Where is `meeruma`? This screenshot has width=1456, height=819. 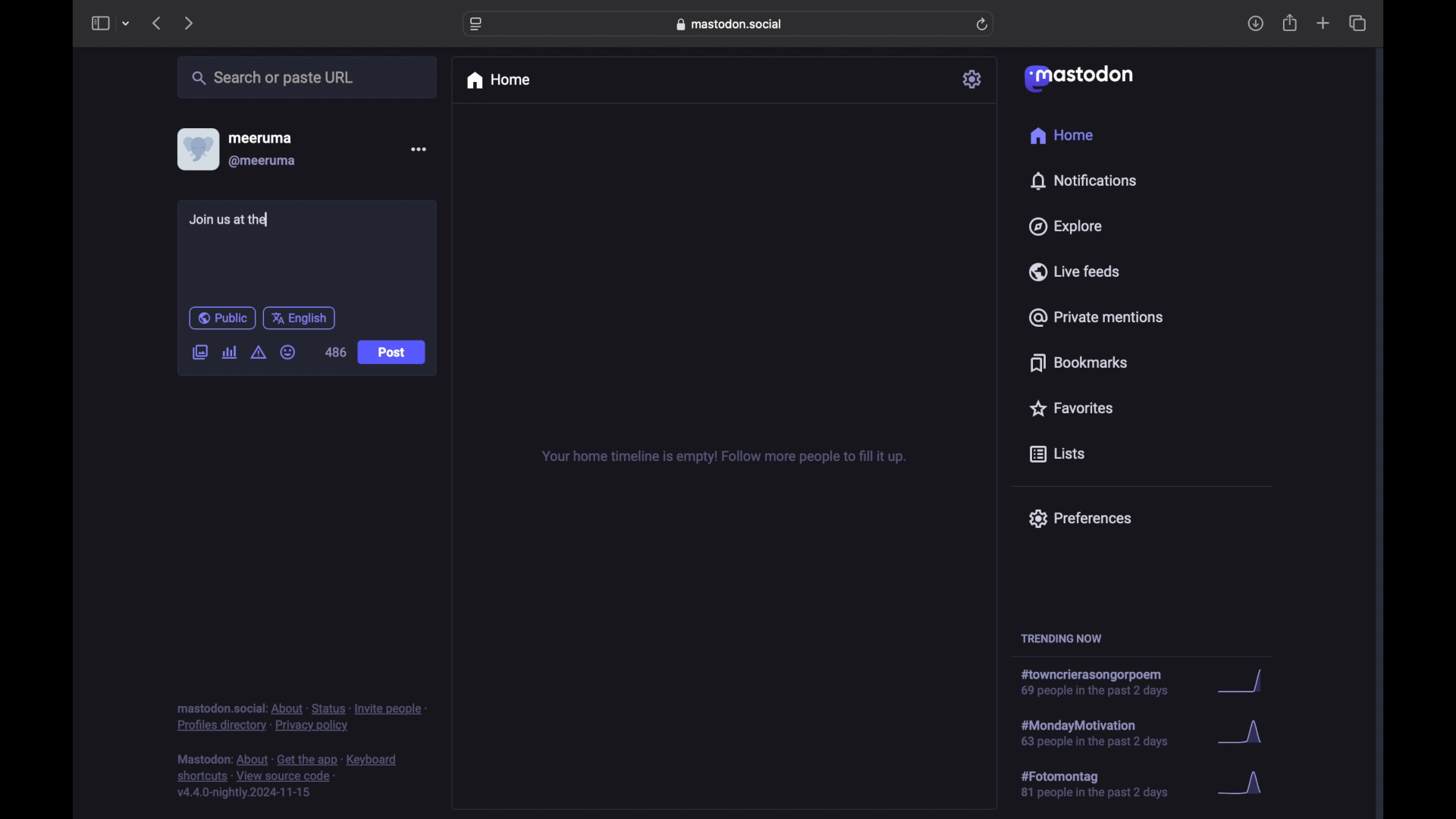 meeruma is located at coordinates (260, 137).